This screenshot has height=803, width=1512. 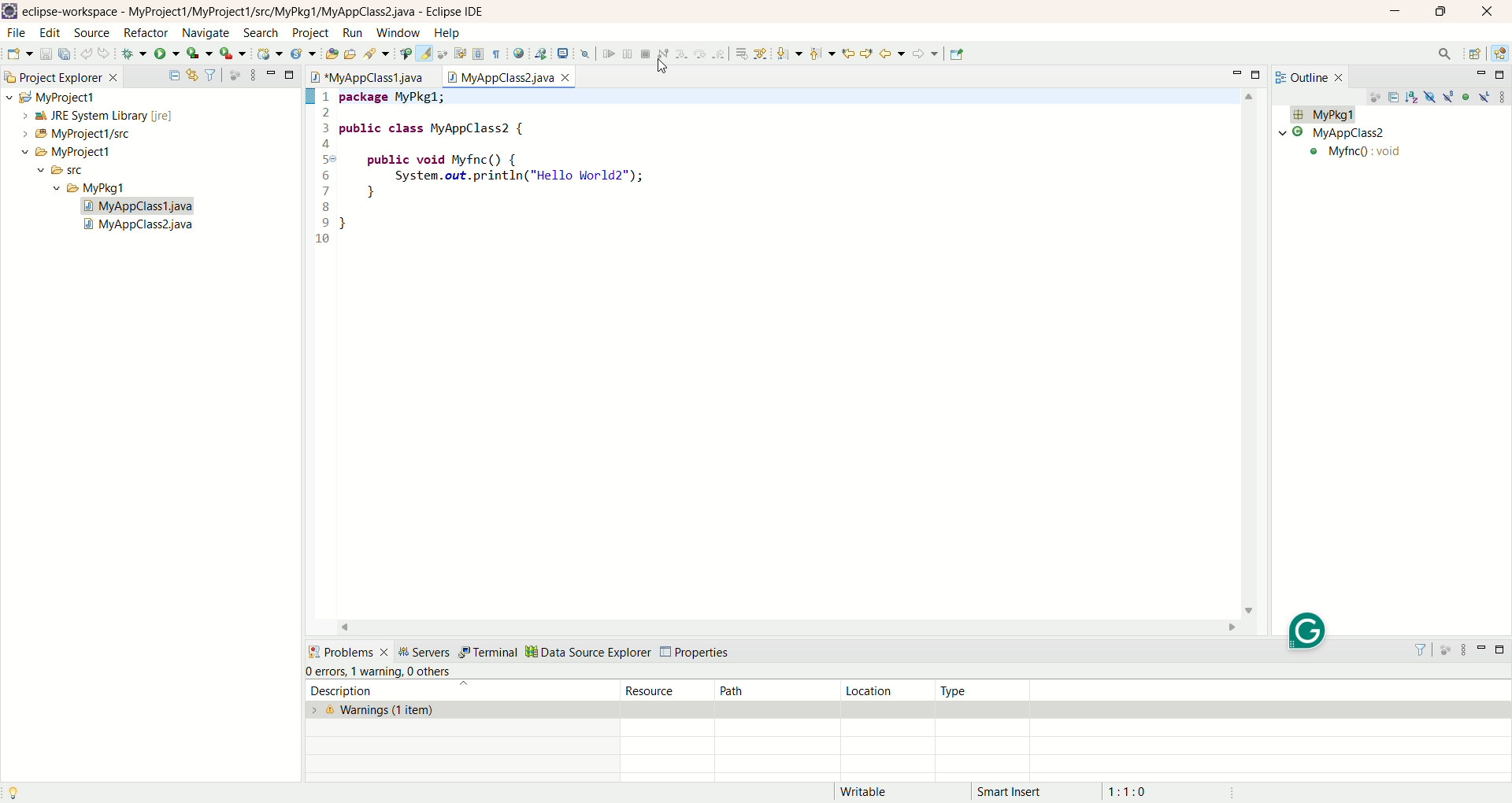 What do you see at coordinates (760, 54) in the screenshot?
I see `use step filters` at bounding box center [760, 54].